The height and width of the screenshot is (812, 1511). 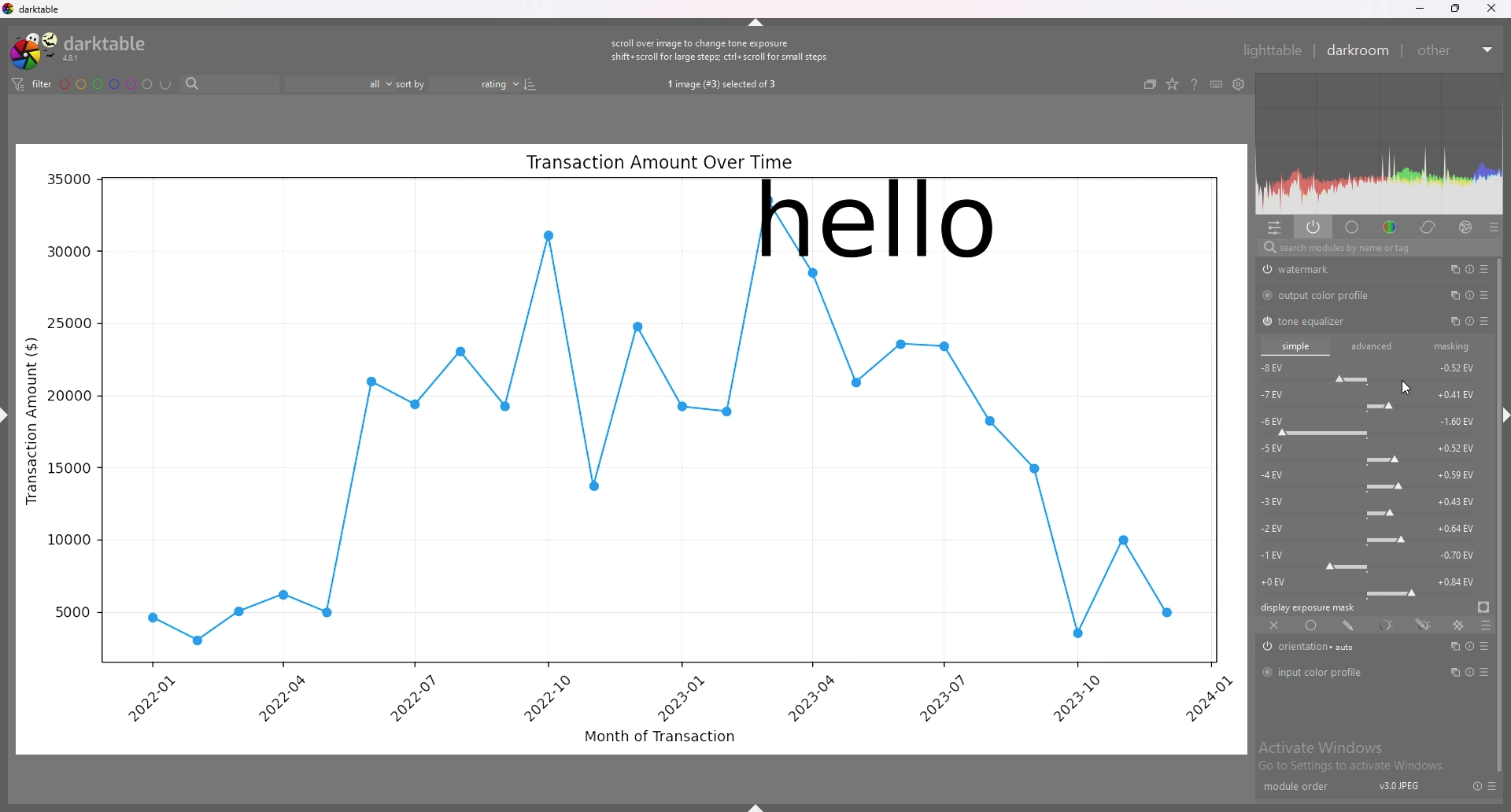 I want to click on search bar, so click(x=231, y=84).